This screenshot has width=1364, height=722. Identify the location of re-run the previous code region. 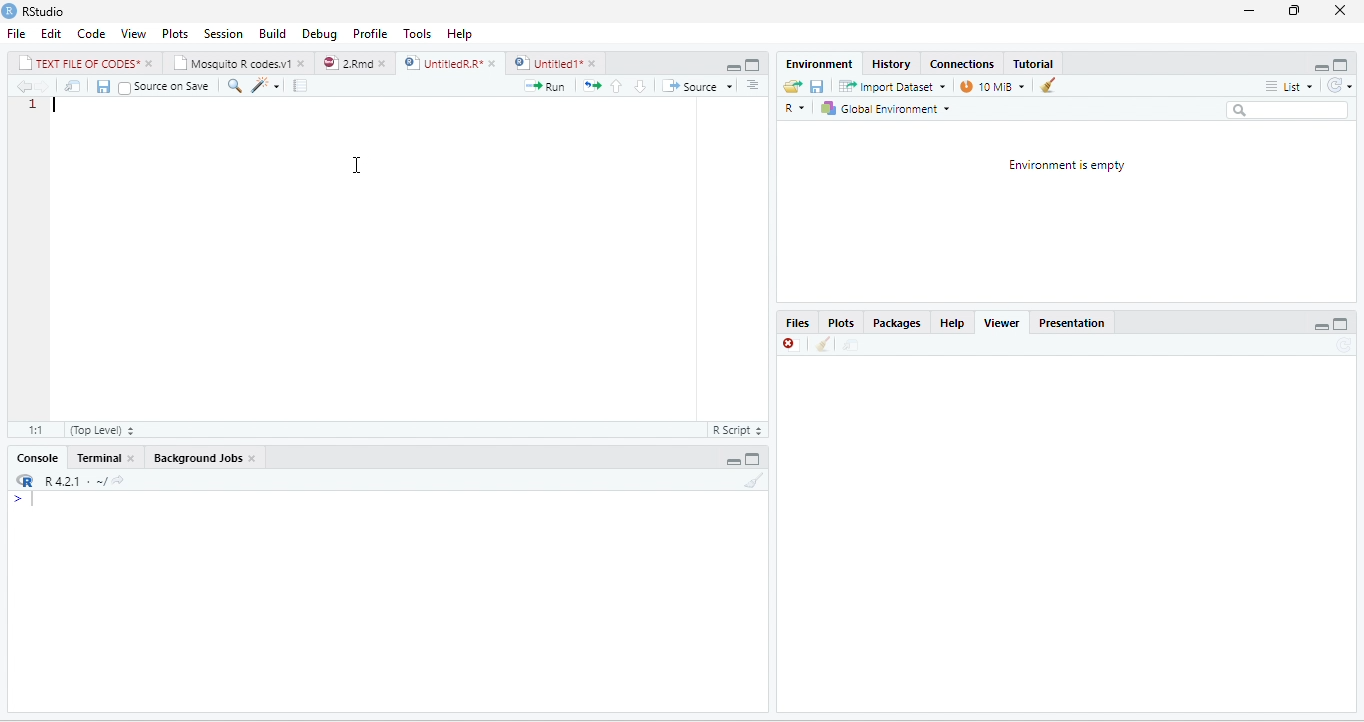
(590, 86).